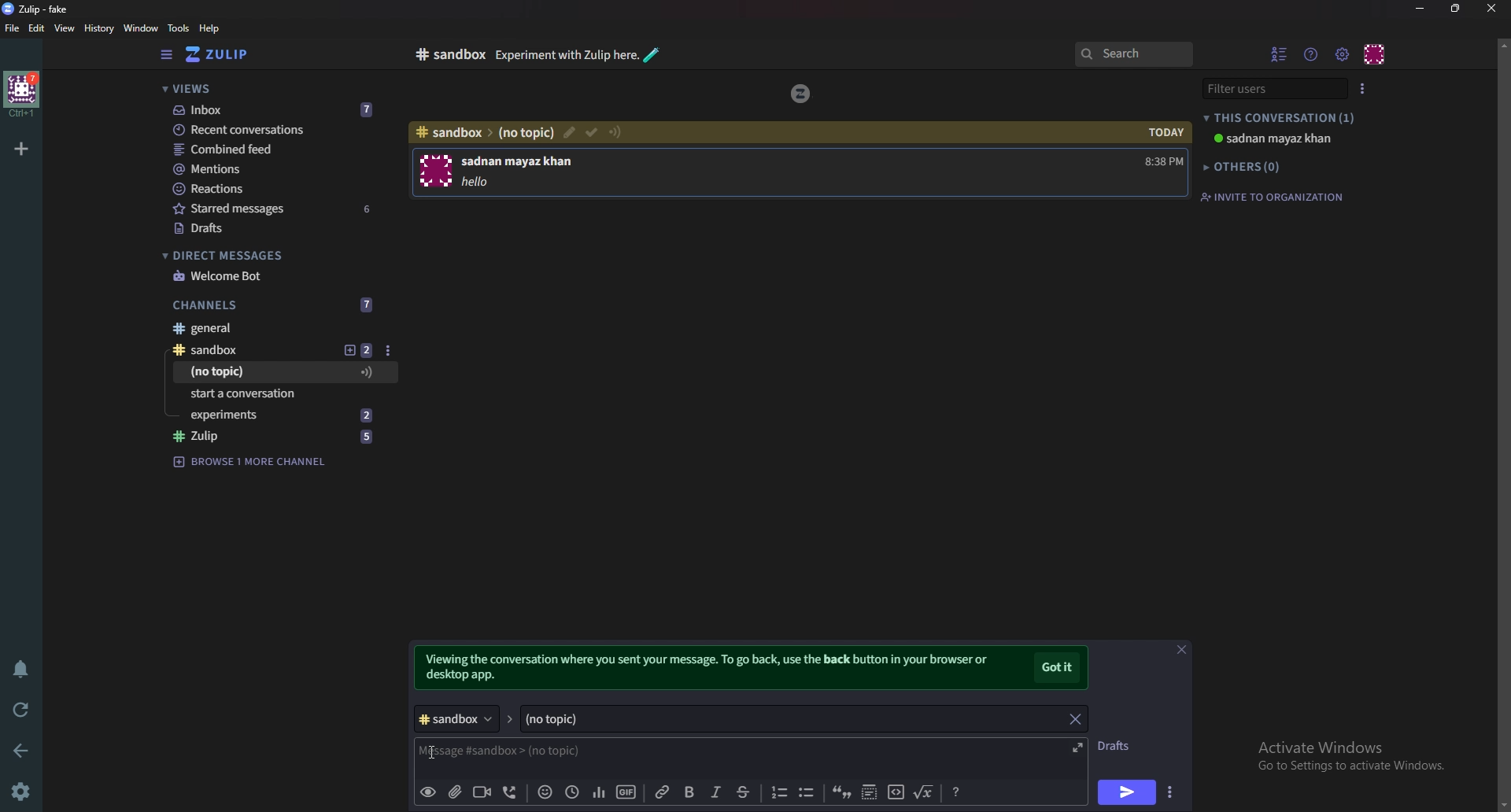  What do you see at coordinates (277, 111) in the screenshot?
I see `Inbox 7` at bounding box center [277, 111].